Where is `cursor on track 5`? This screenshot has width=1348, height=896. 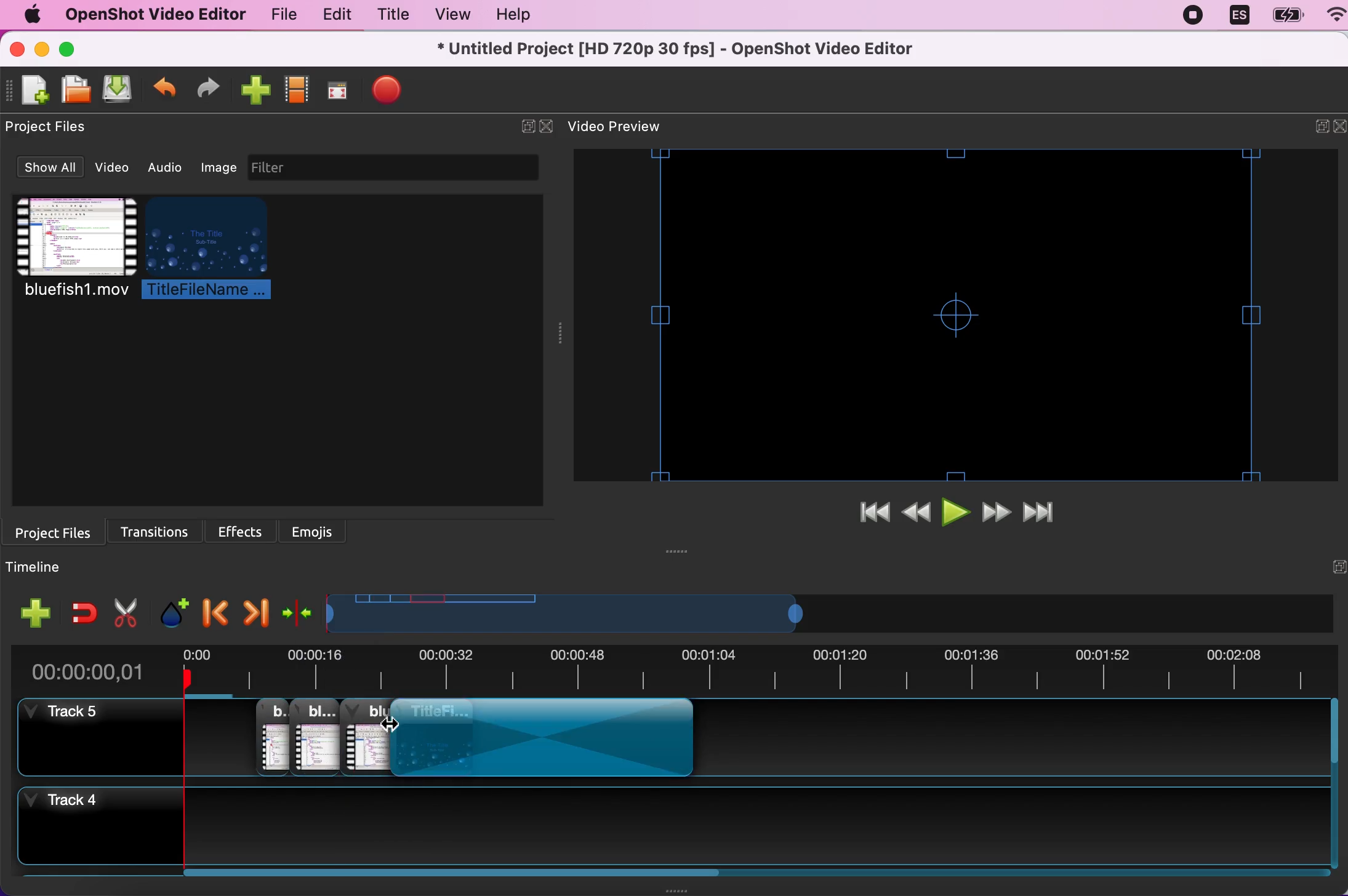 cursor on track 5 is located at coordinates (395, 738).